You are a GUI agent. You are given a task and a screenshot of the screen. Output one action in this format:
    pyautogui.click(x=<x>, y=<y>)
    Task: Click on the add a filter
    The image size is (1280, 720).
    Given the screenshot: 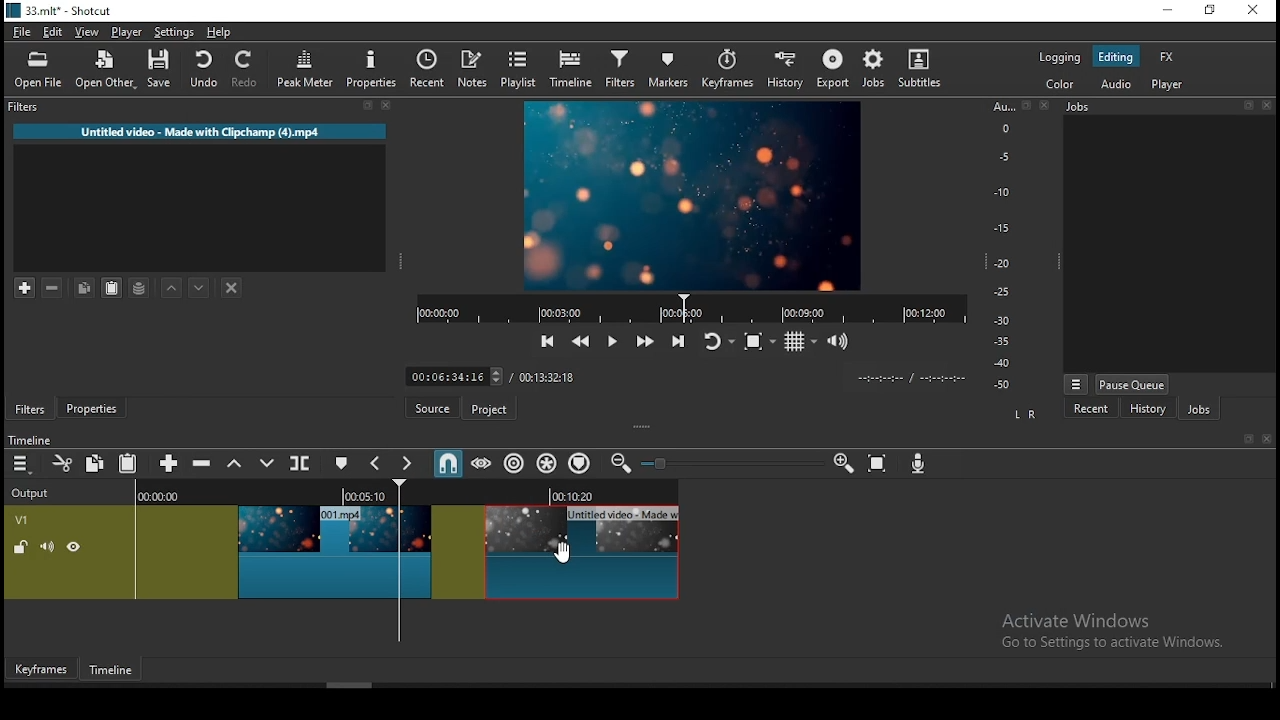 What is the action you would take?
    pyautogui.click(x=27, y=288)
    